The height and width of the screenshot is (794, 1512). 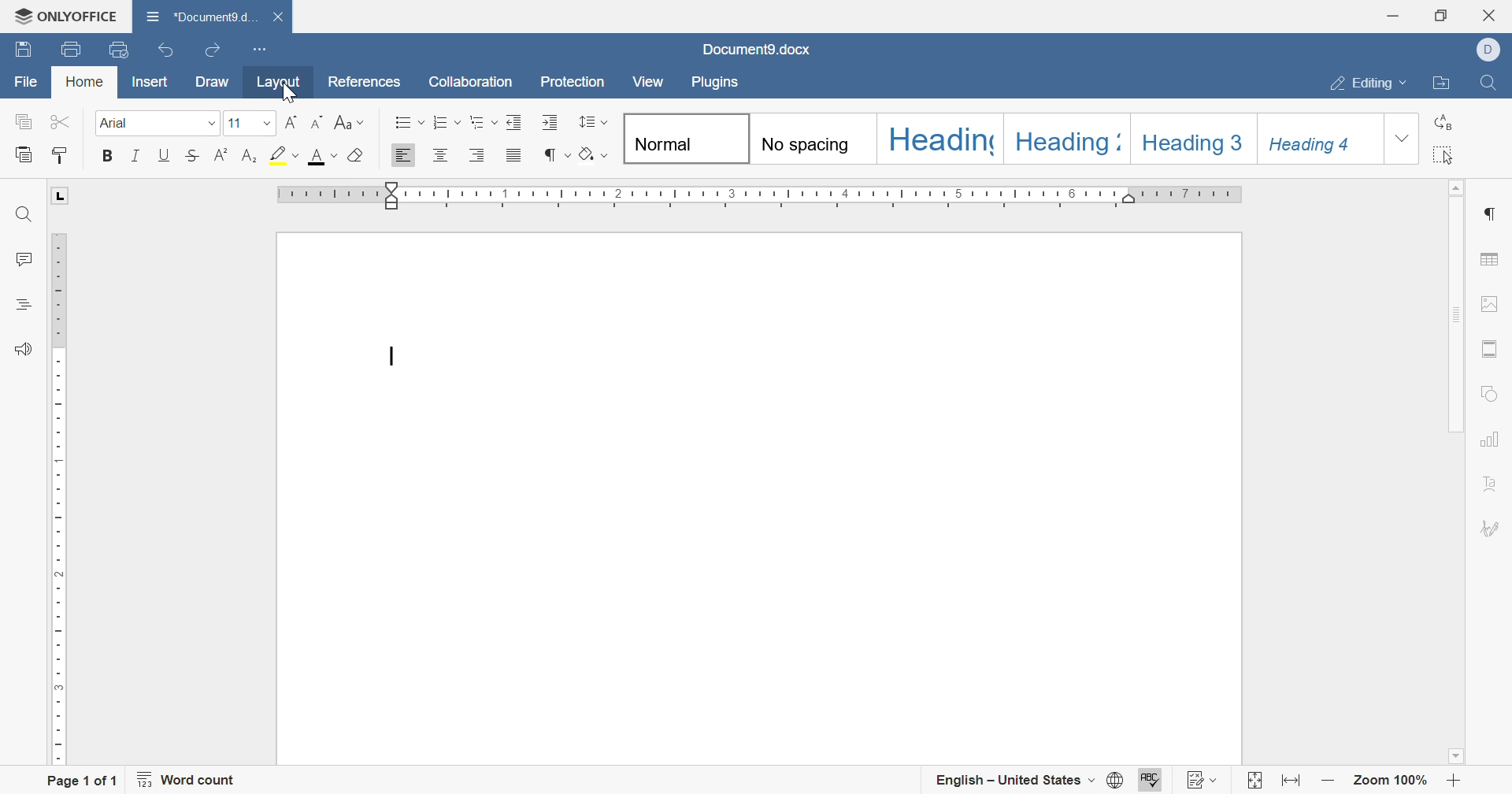 I want to click on signature settings, so click(x=1492, y=529).